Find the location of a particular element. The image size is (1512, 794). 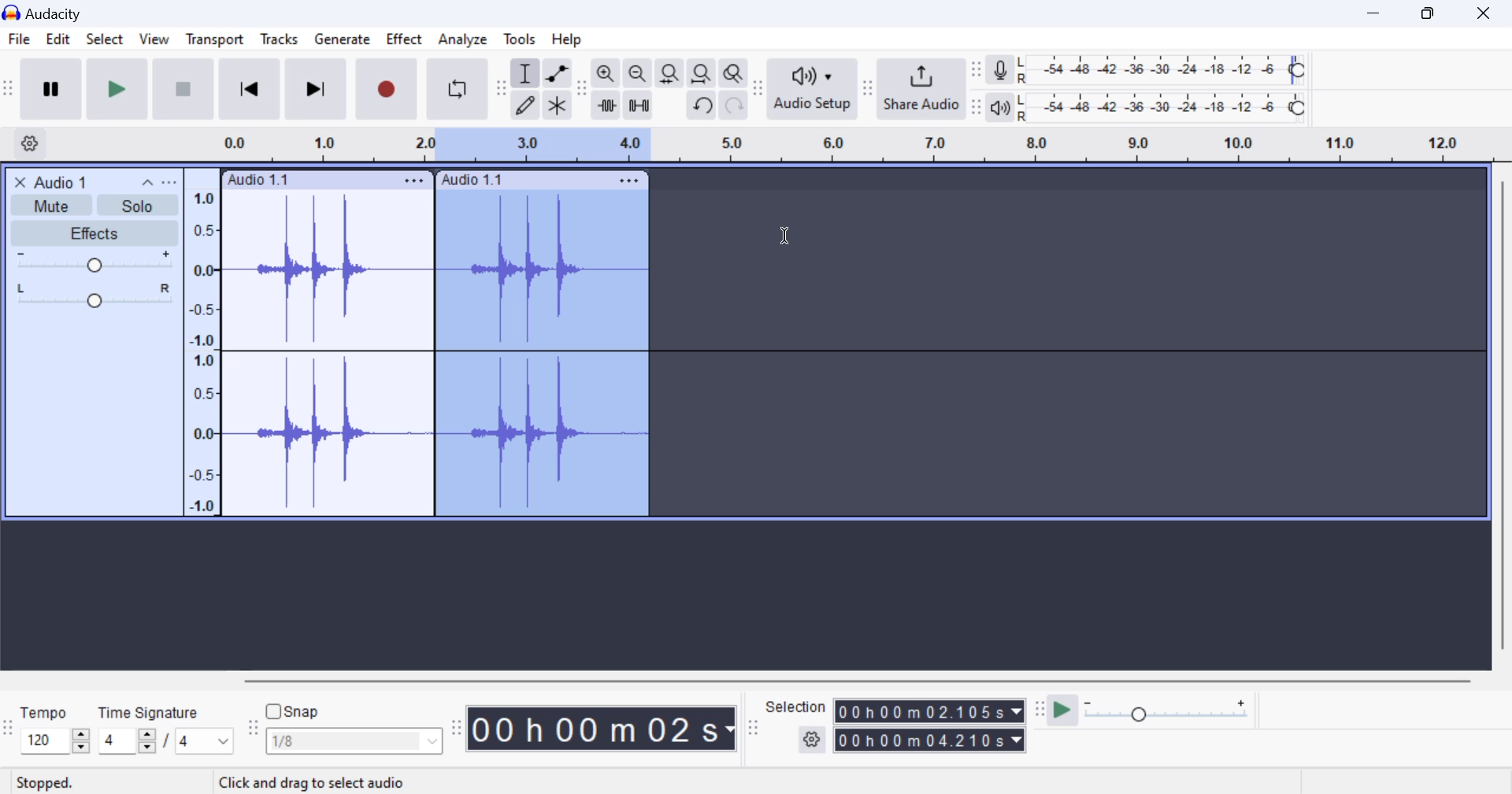

Audio Setup is located at coordinates (811, 88).